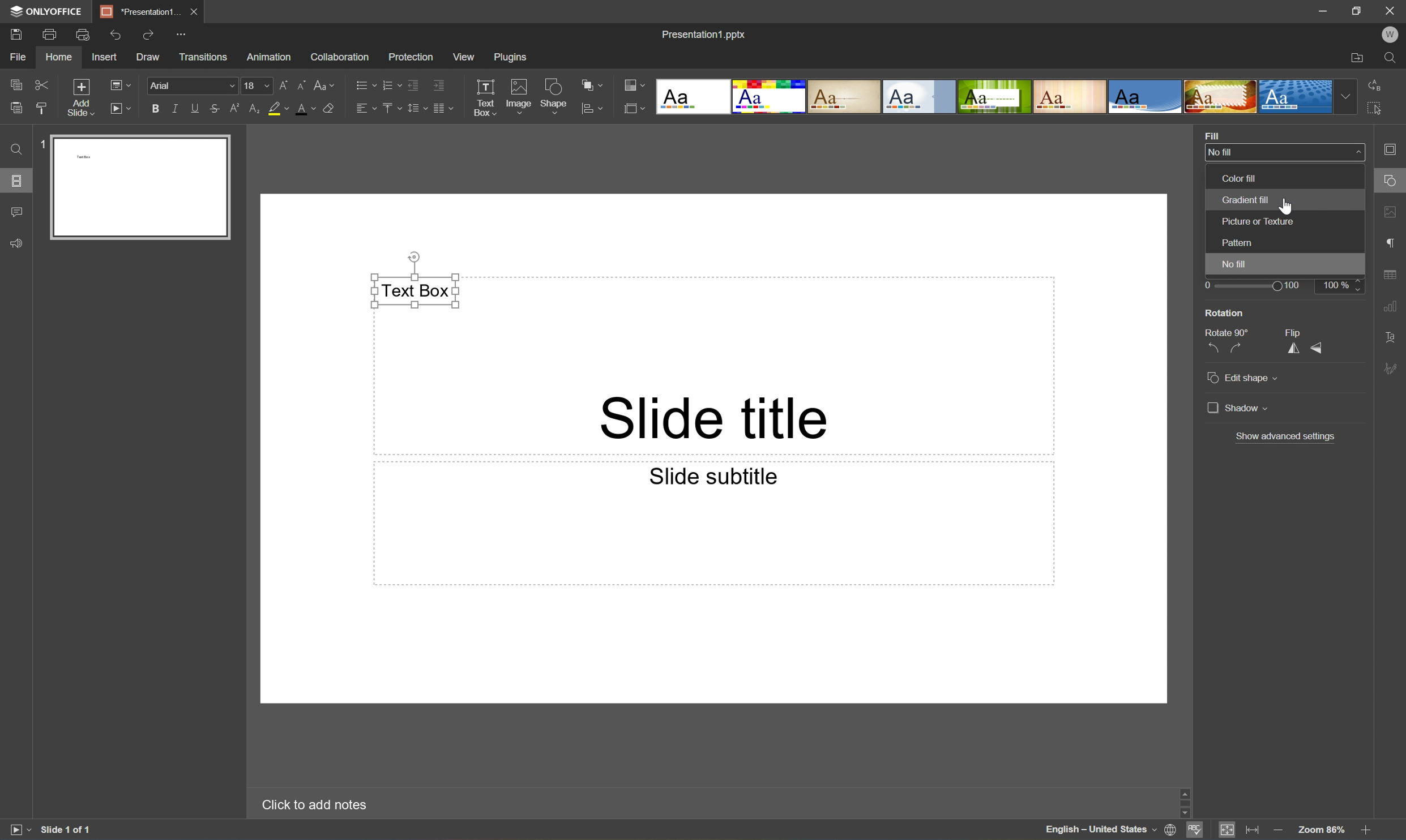 The height and width of the screenshot is (840, 1406). I want to click on Rotate 90°, so click(1226, 331).